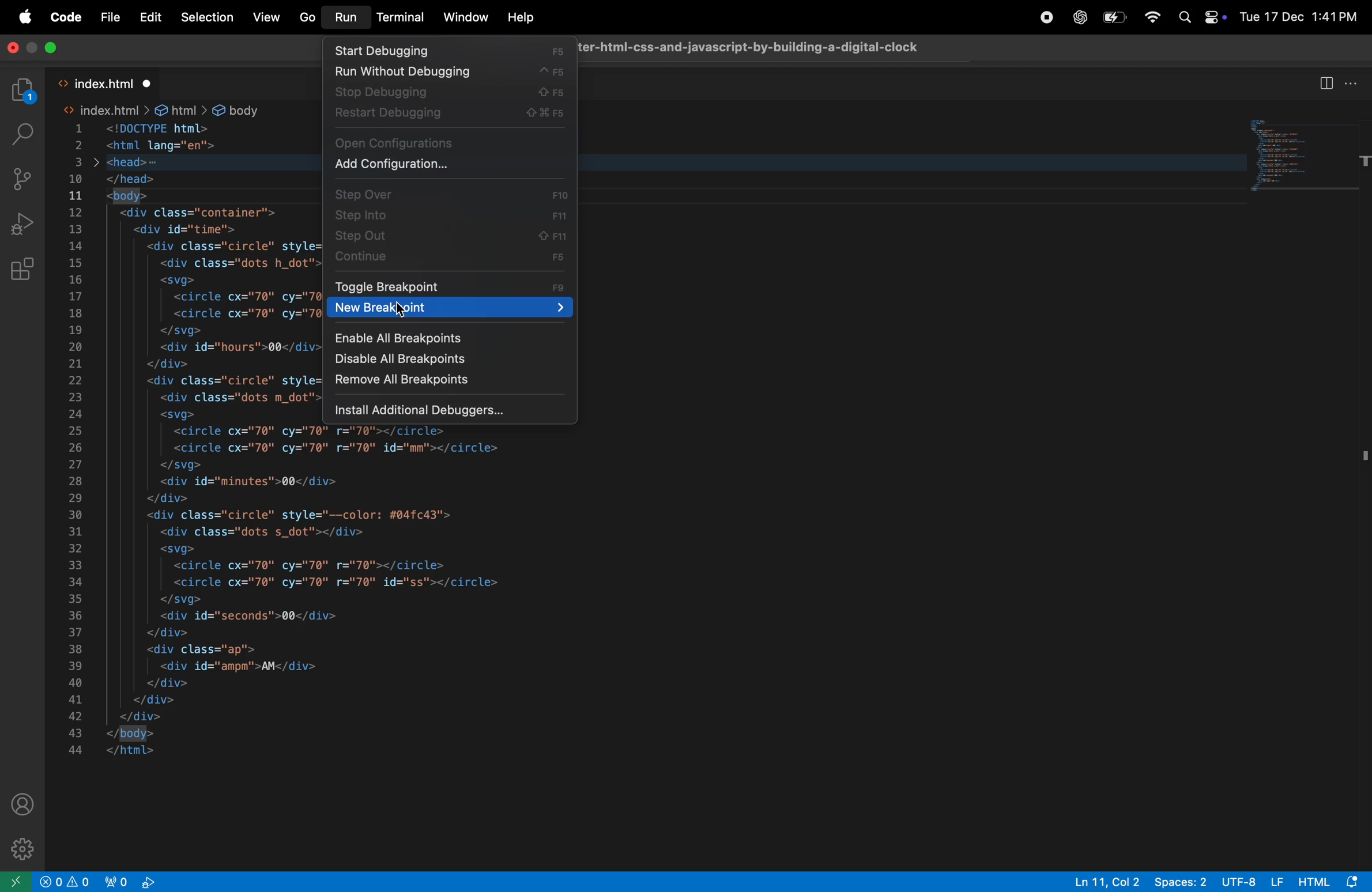 This screenshot has height=892, width=1372. Describe the element at coordinates (1078, 17) in the screenshot. I see `chatgpt` at that location.